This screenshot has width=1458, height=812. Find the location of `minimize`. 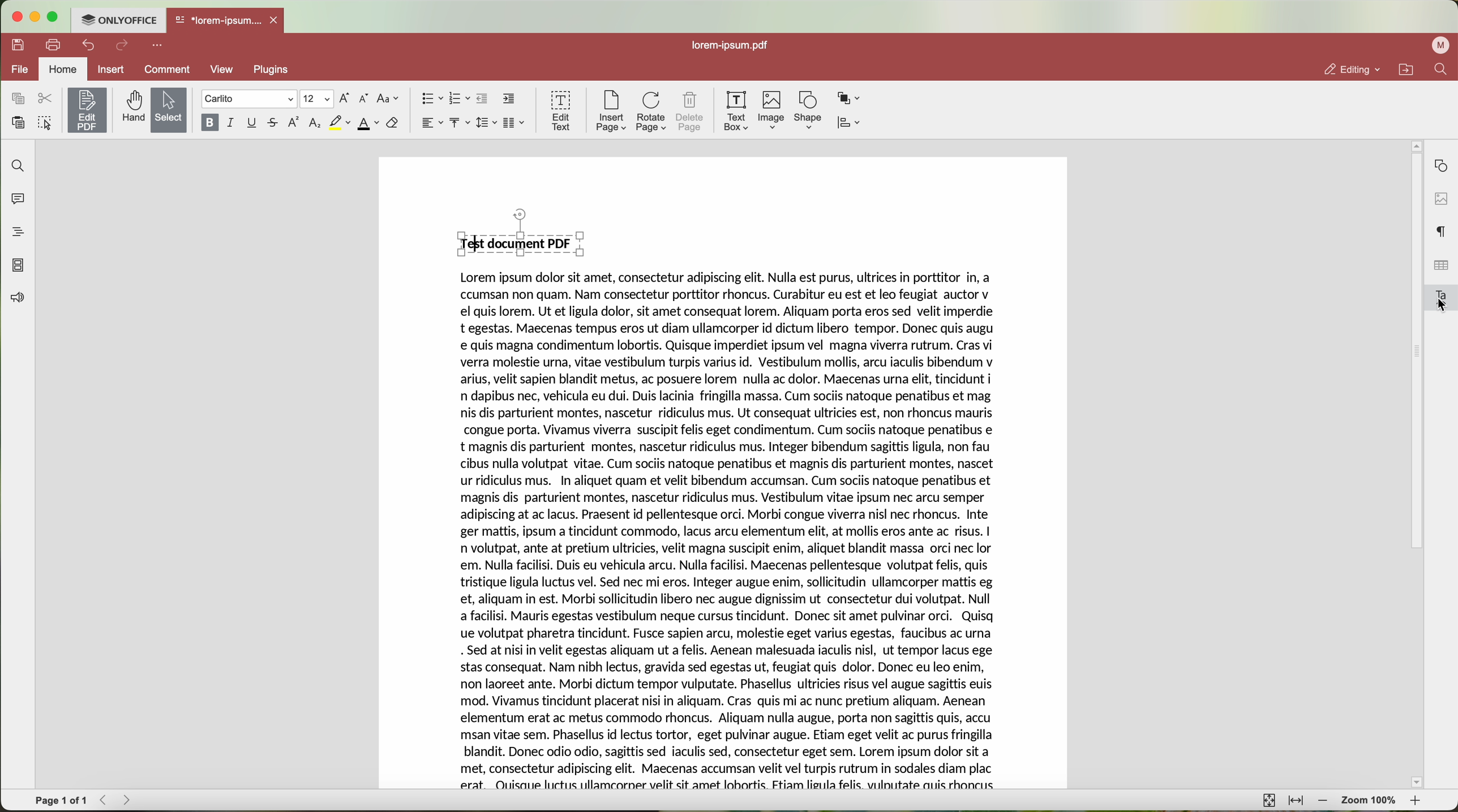

minimize is located at coordinates (37, 17).